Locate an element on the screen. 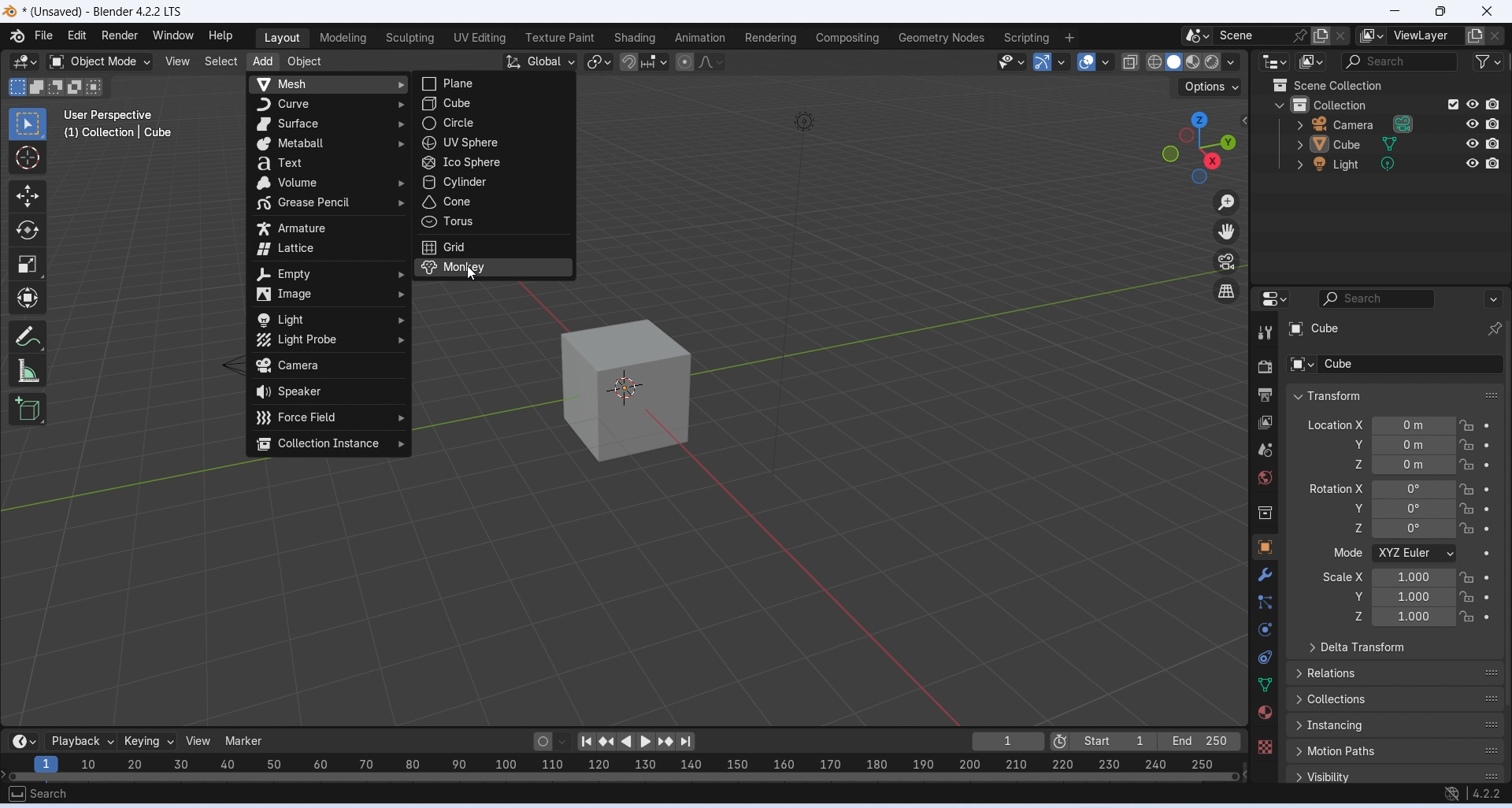 The width and height of the screenshot is (1512, 808). Object is located at coordinates (304, 62).